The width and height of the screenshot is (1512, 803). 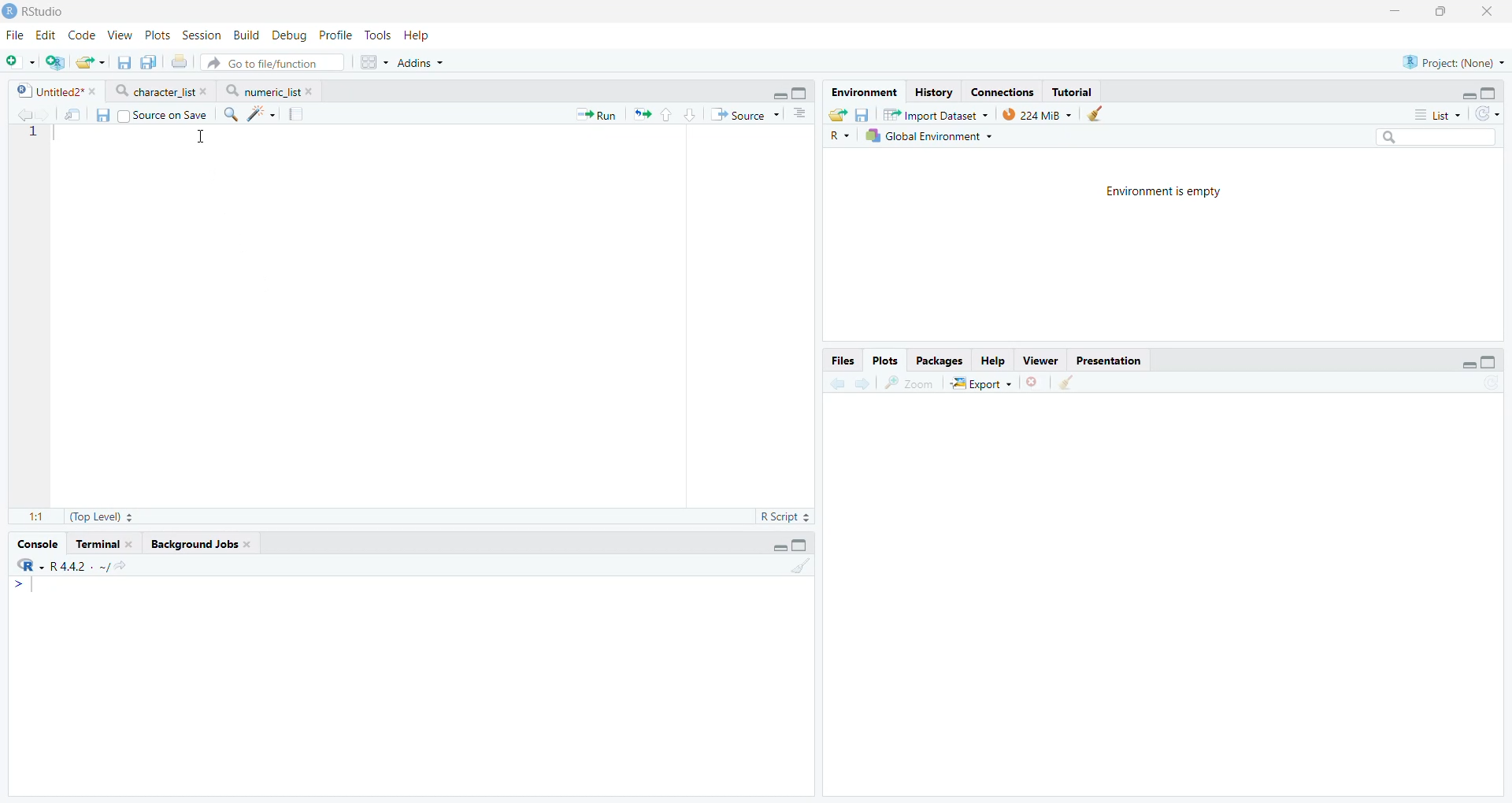 I want to click on Export, so click(x=982, y=383).